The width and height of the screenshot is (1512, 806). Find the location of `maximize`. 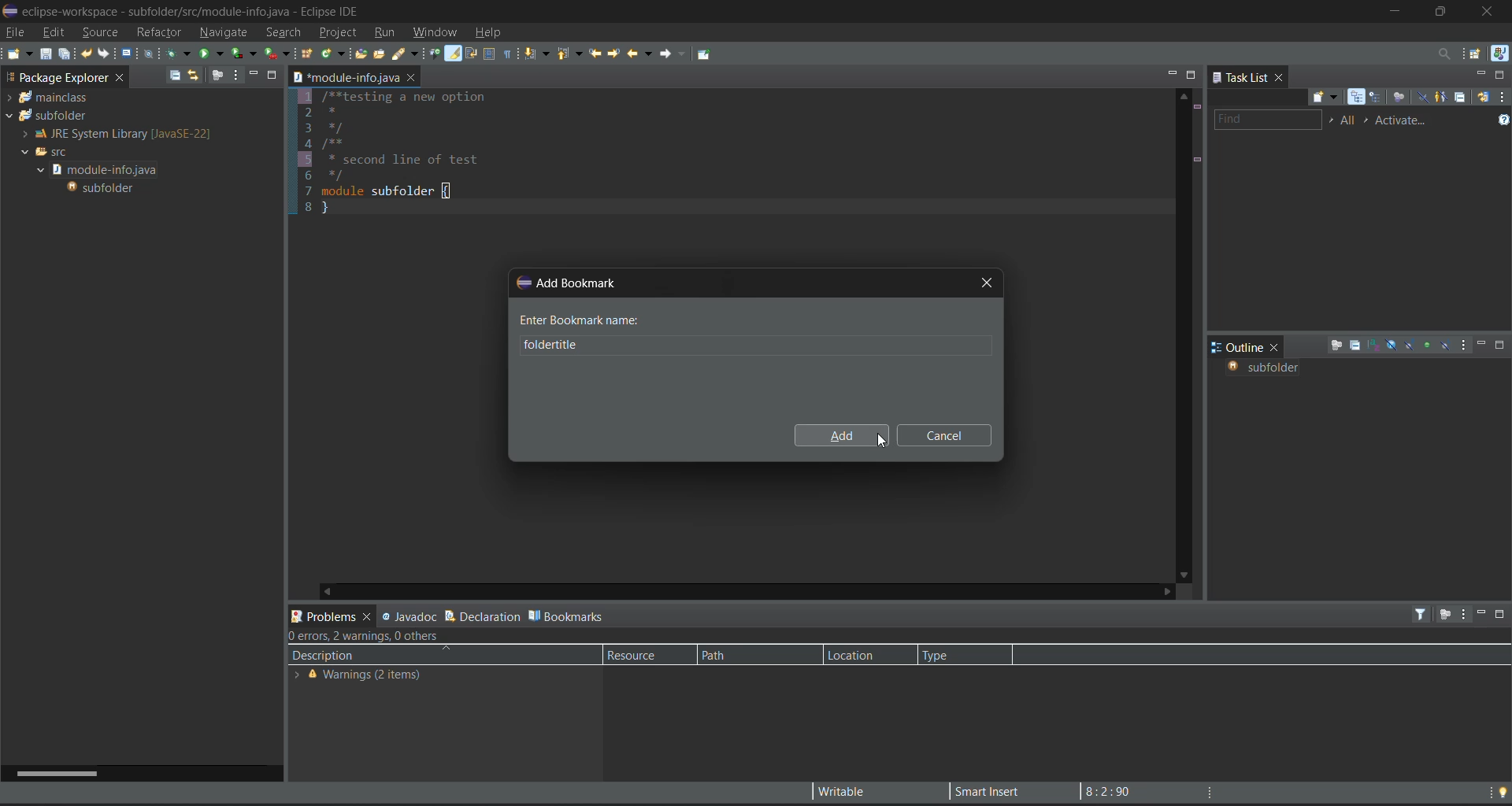

maximize is located at coordinates (1191, 75).